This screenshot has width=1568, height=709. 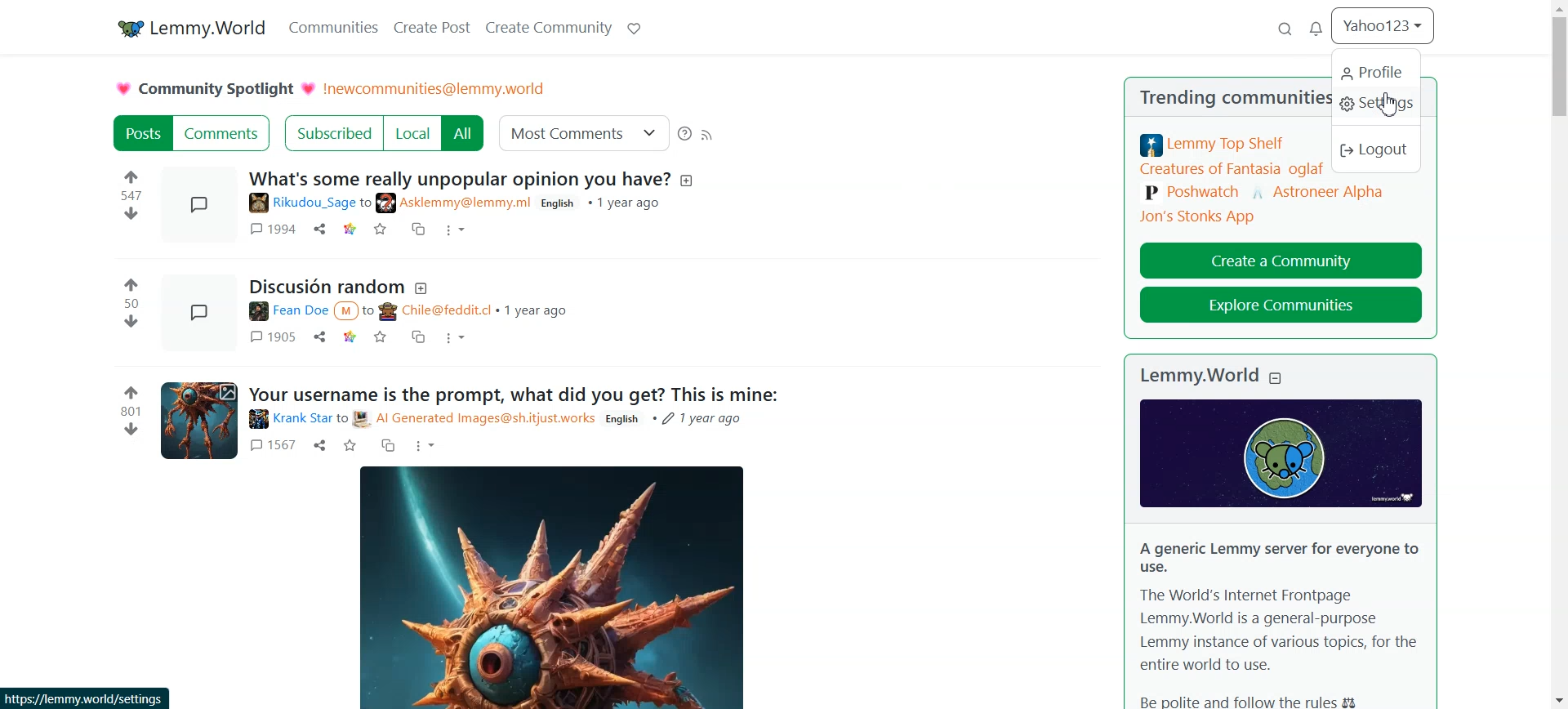 I want to click on 1 year ago, so click(x=537, y=310).